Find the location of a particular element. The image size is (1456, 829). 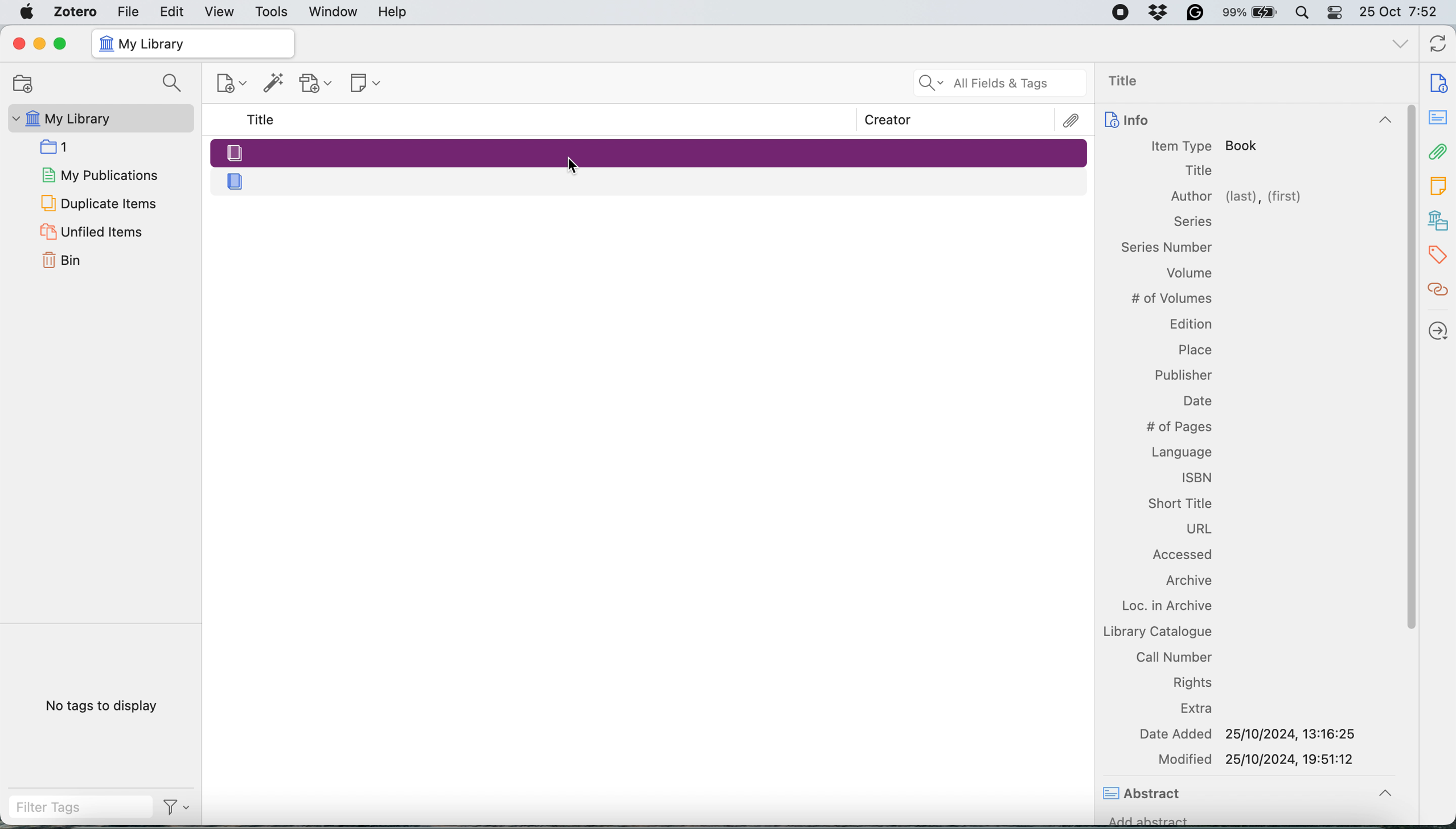

Tools is located at coordinates (272, 13).